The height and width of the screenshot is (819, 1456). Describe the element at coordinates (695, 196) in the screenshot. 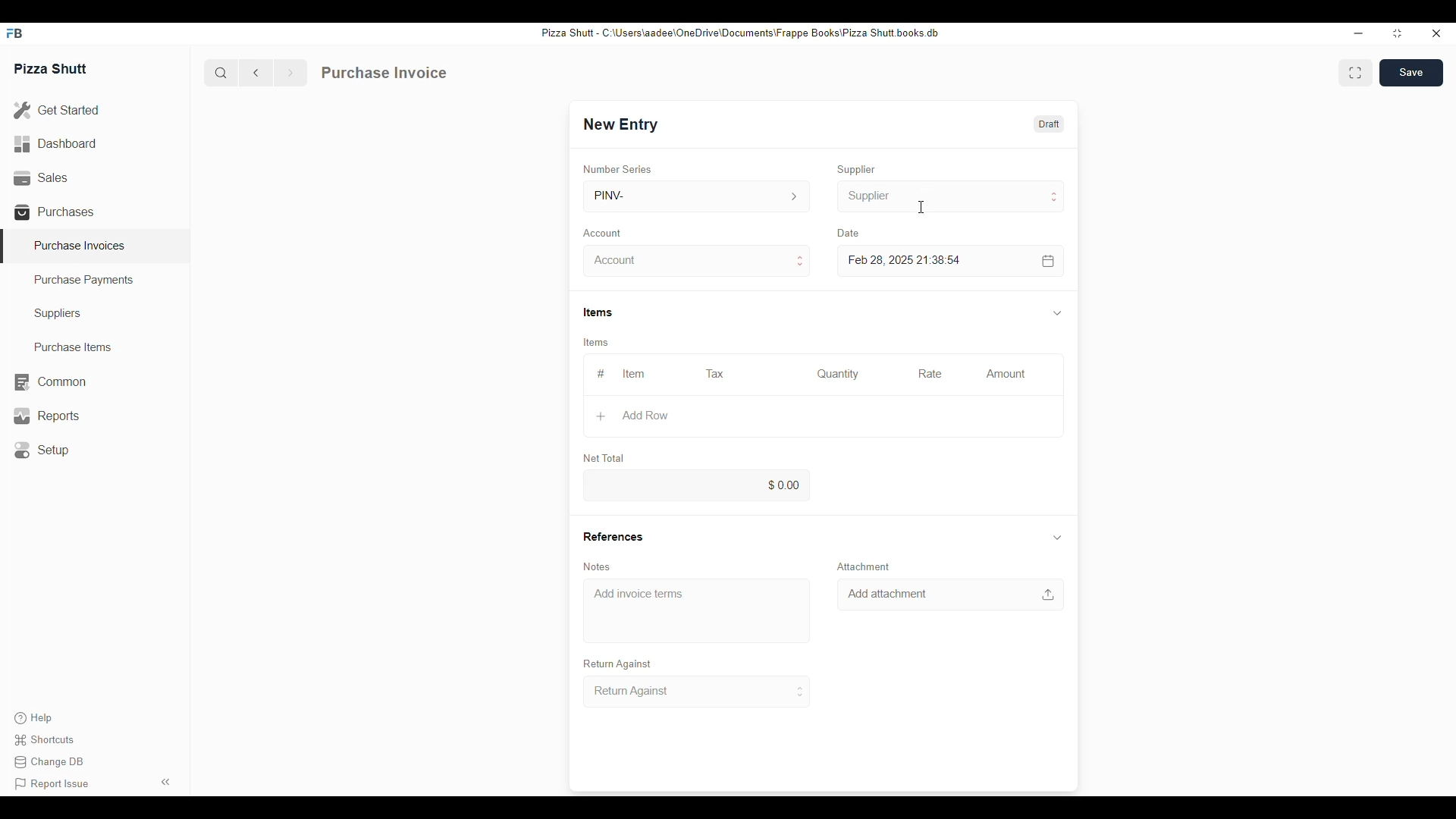

I see `PINV` at that location.